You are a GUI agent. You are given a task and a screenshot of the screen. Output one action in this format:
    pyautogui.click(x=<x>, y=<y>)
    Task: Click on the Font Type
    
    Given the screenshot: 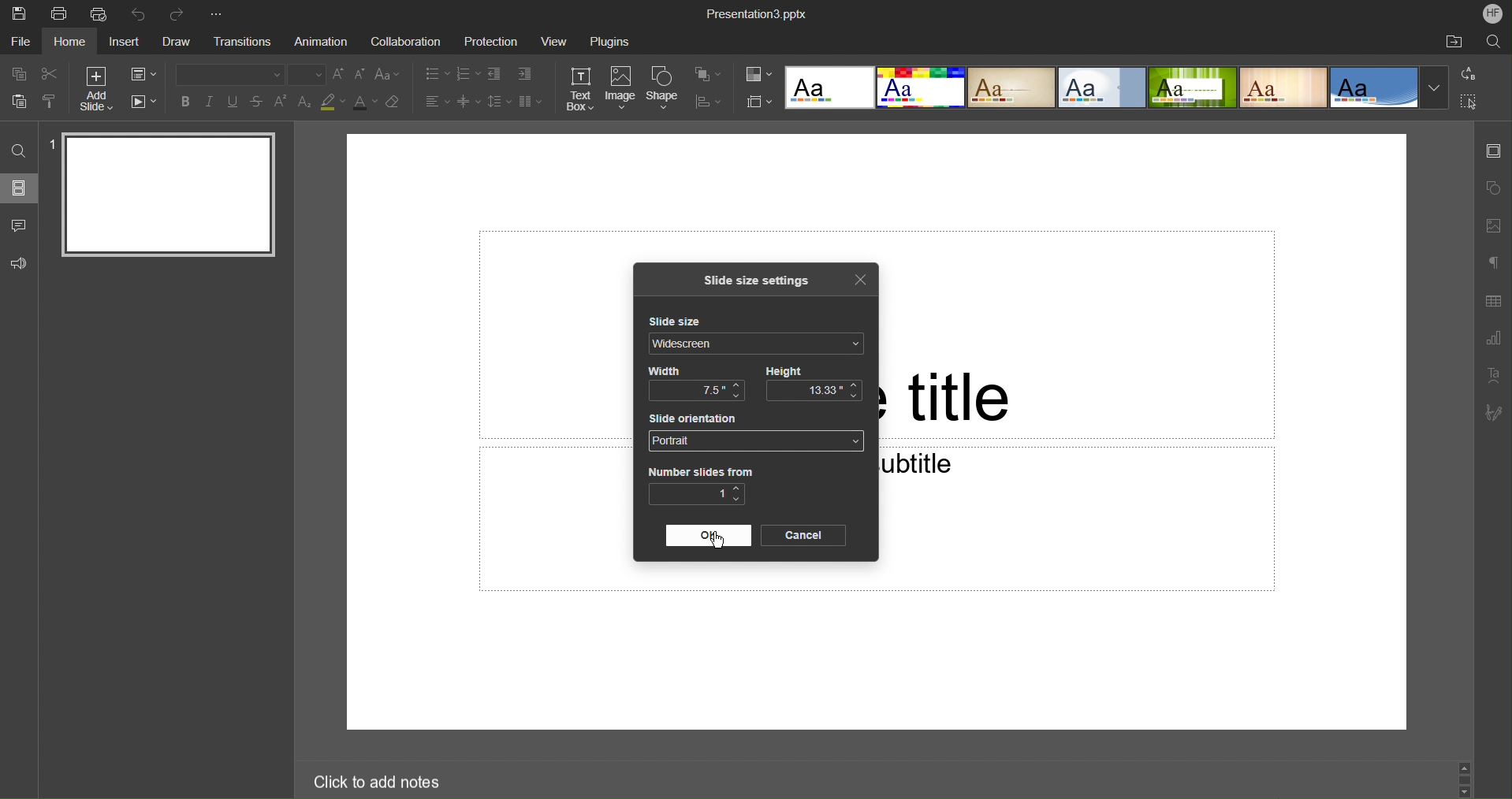 What is the action you would take?
    pyautogui.click(x=225, y=74)
    